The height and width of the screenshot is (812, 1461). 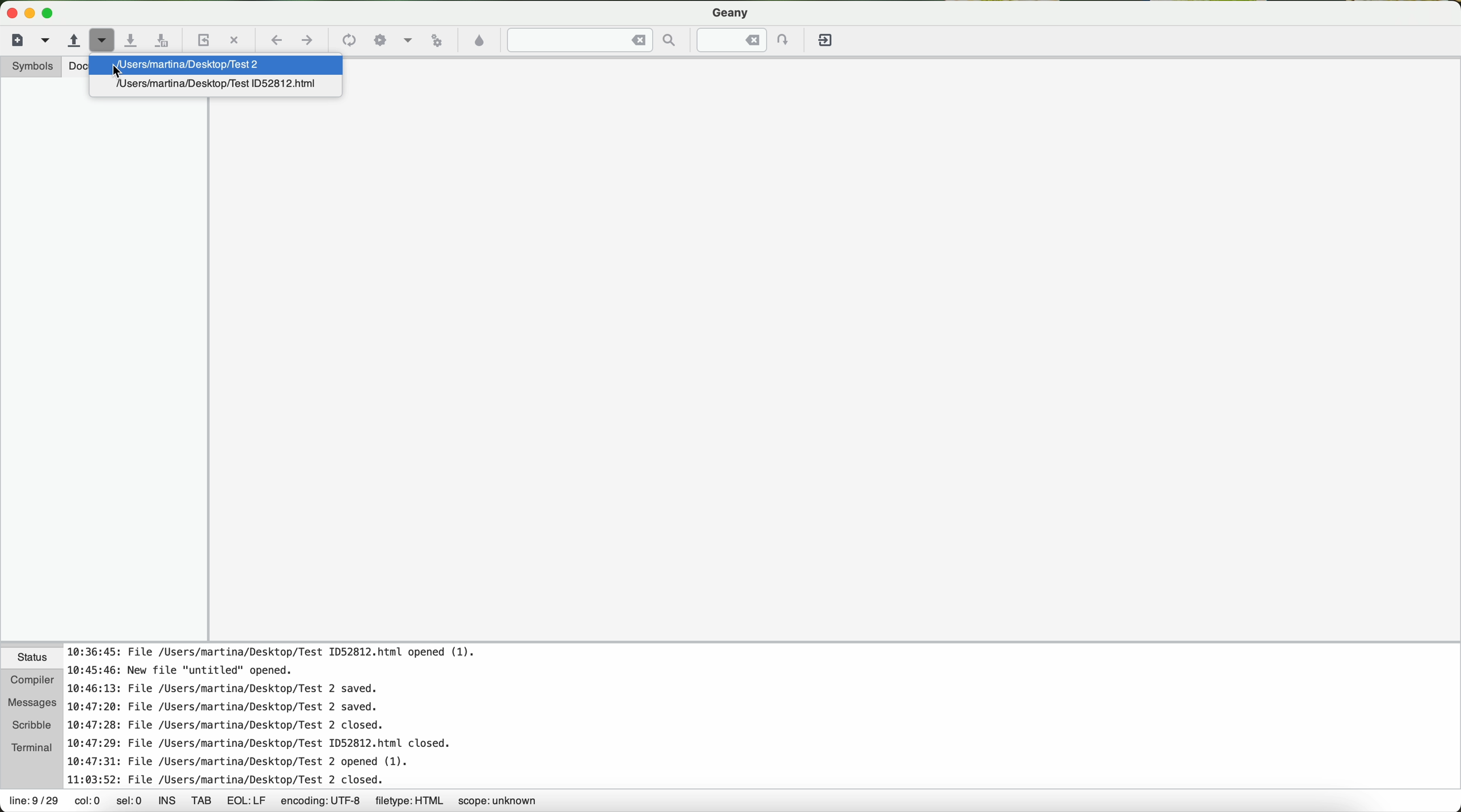 What do you see at coordinates (275, 802) in the screenshot?
I see `data` at bounding box center [275, 802].